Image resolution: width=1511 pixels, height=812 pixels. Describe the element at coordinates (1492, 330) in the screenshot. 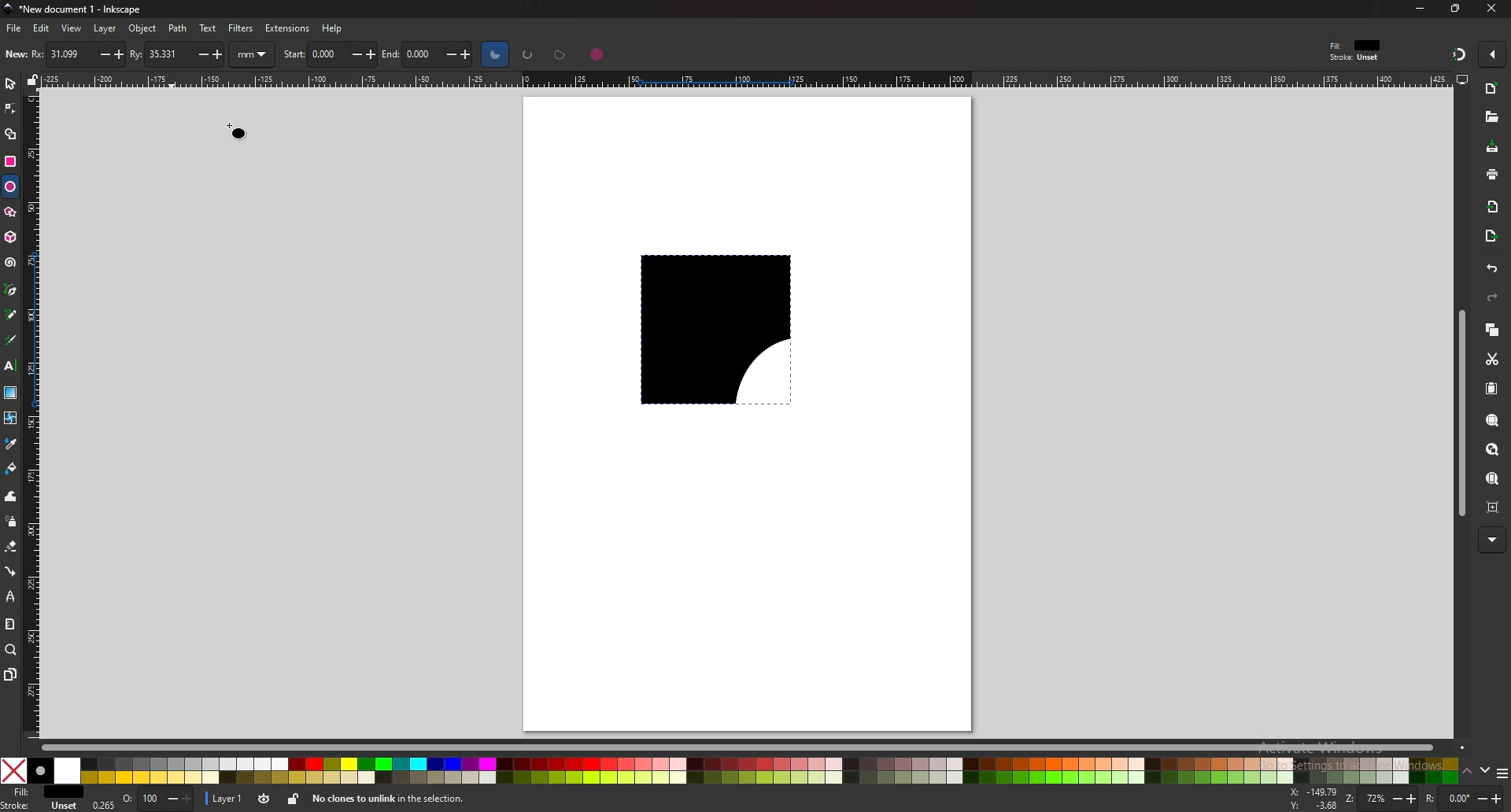

I see `copy` at that location.